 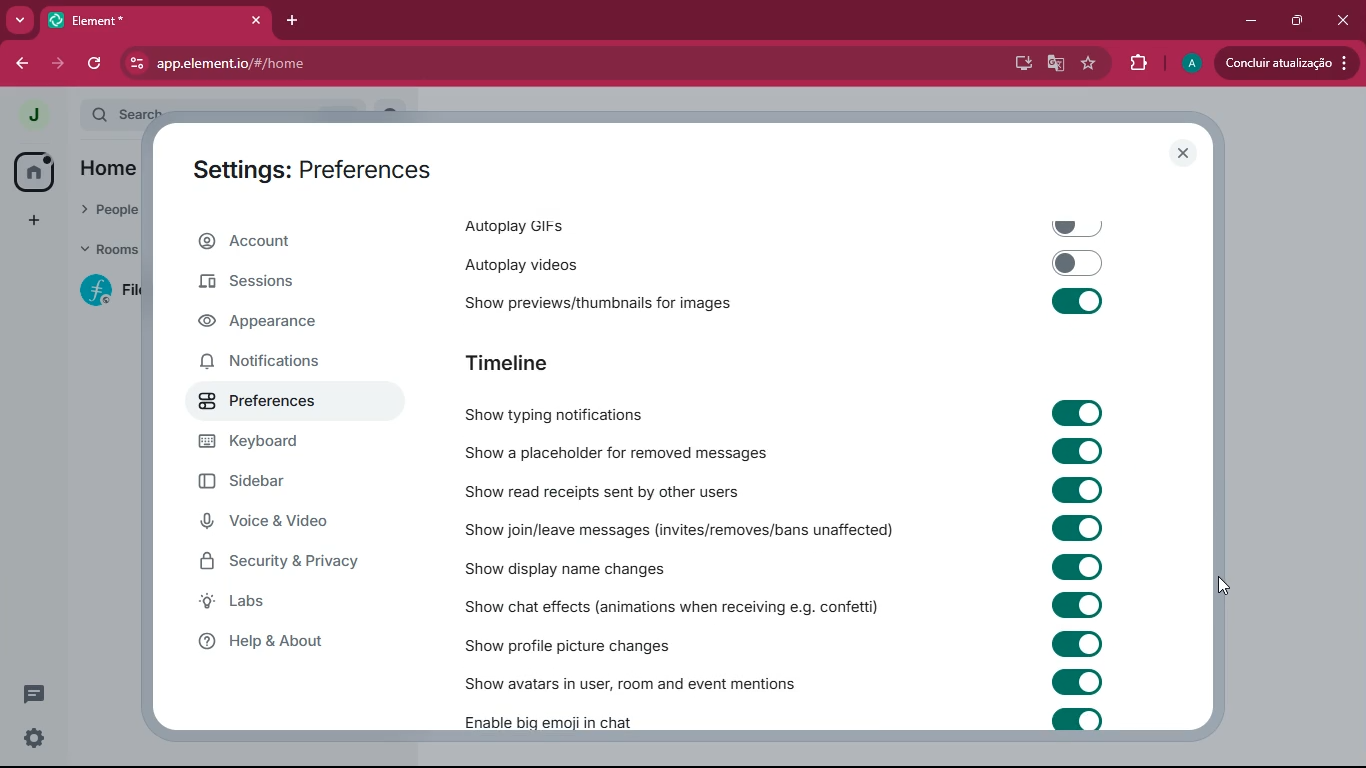 What do you see at coordinates (20, 21) in the screenshot?
I see `search tabs` at bounding box center [20, 21].